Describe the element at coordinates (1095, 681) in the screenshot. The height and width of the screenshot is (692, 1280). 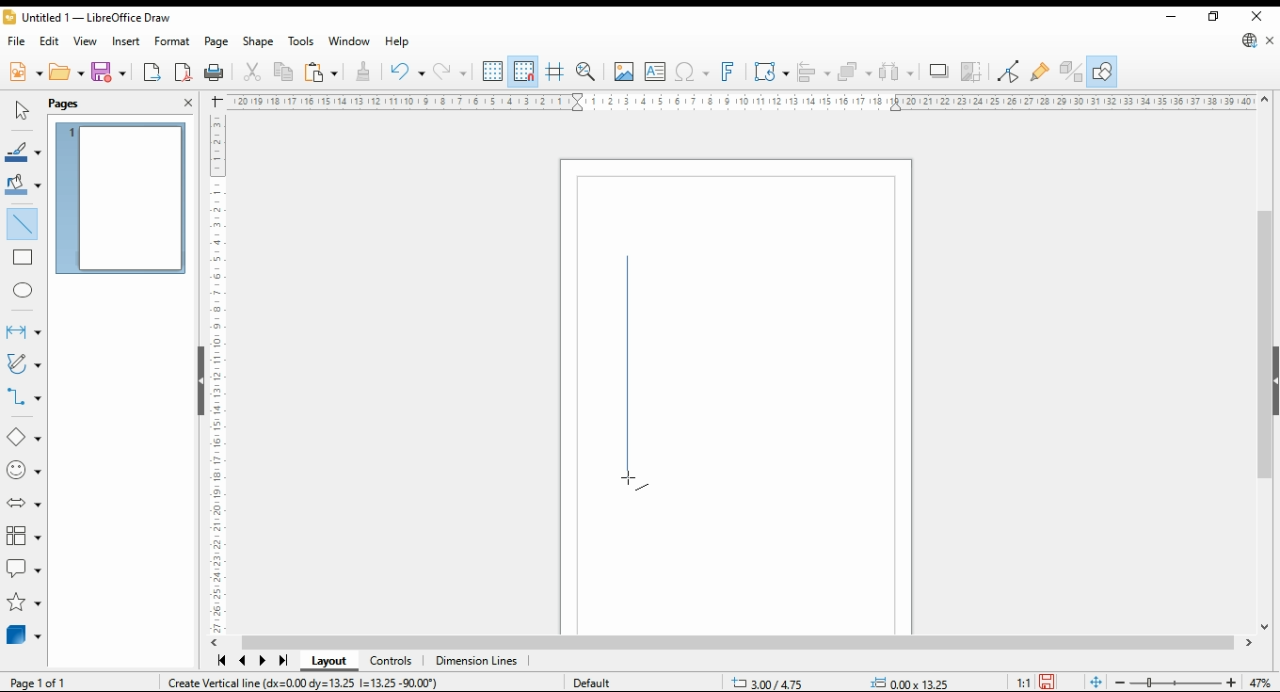
I see `fit document to window` at that location.